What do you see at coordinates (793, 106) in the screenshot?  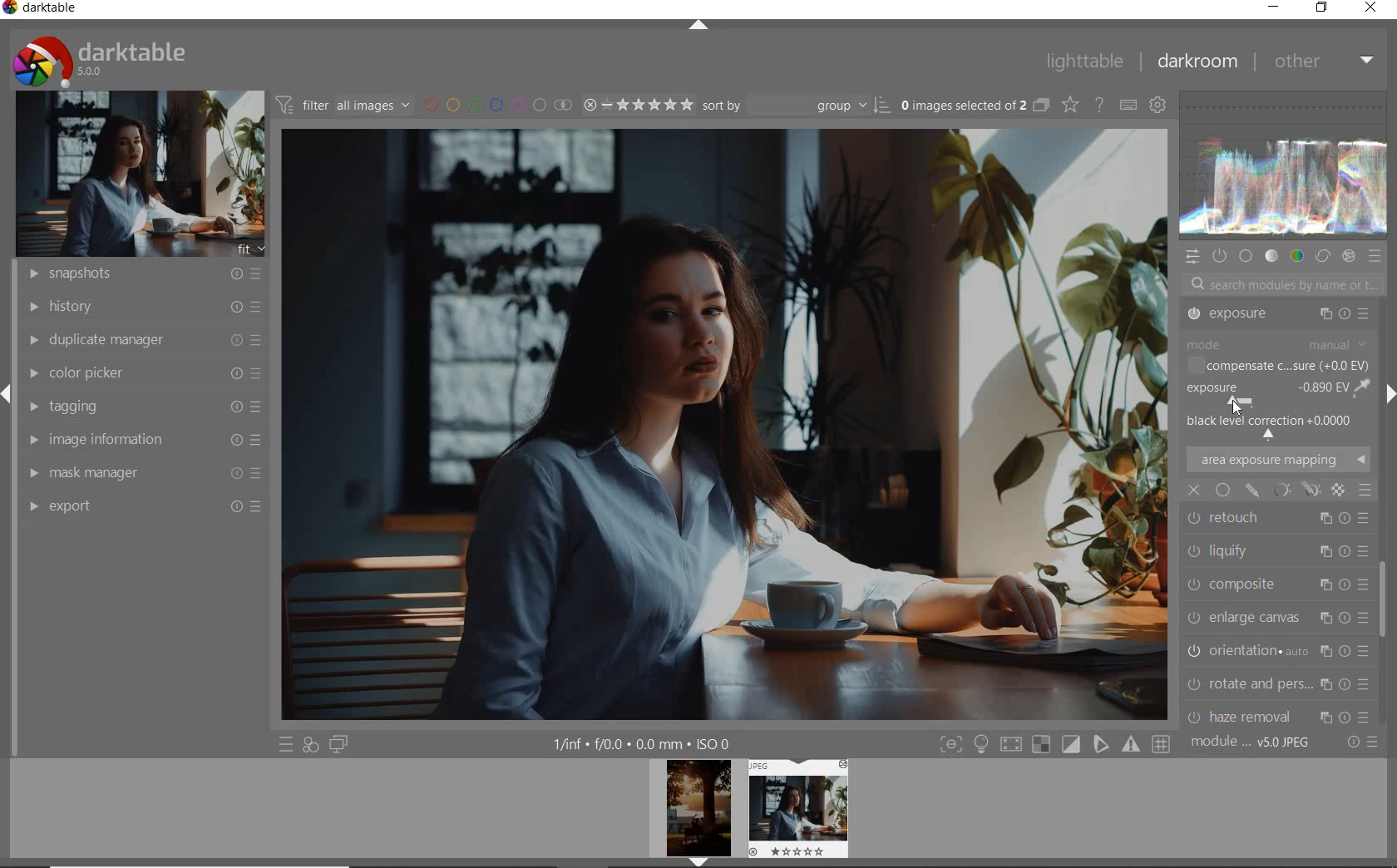 I see `SORT` at bounding box center [793, 106].